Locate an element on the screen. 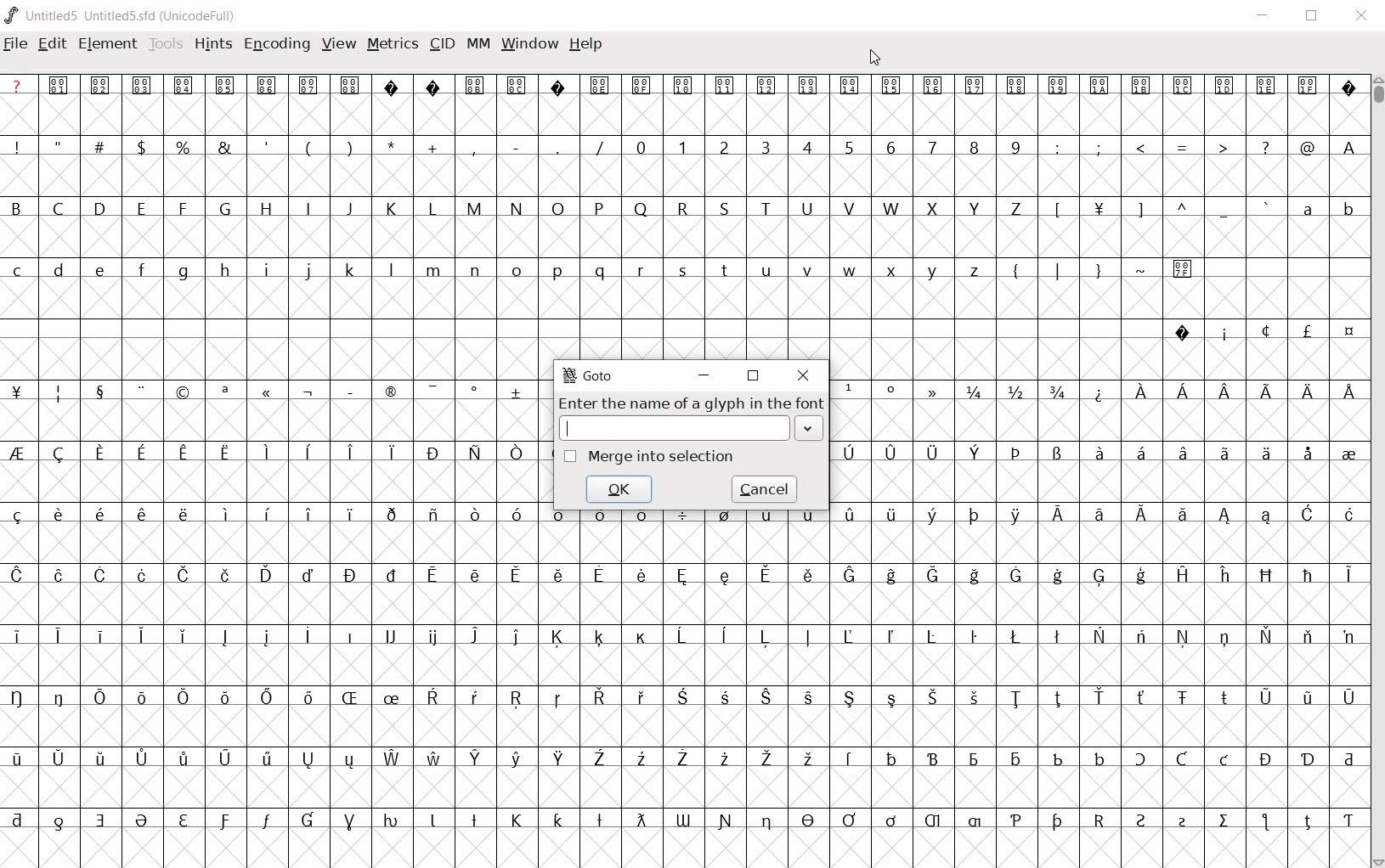 The image size is (1385, 868). + is located at coordinates (434, 148).